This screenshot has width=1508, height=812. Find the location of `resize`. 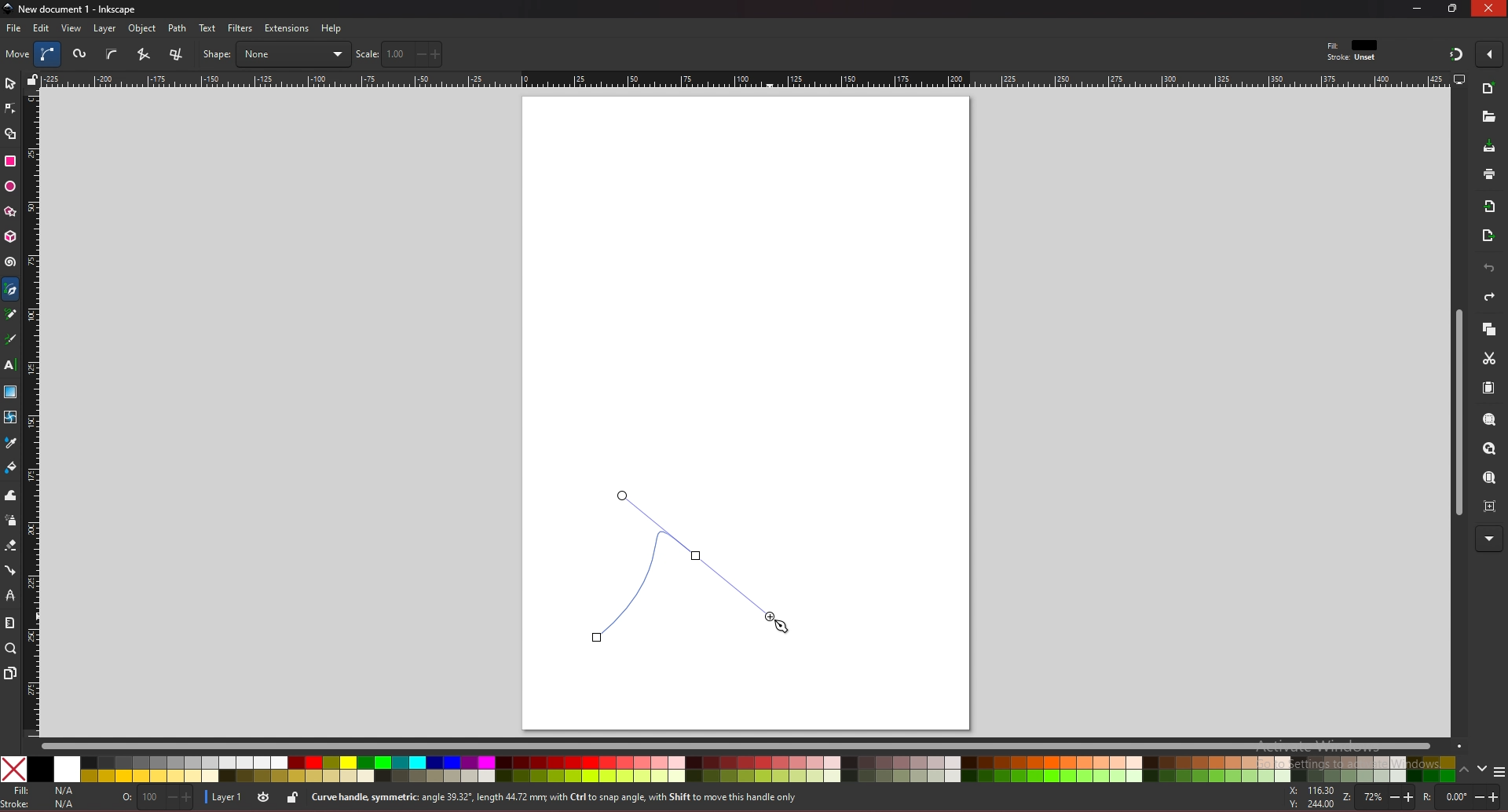

resize is located at coordinates (1455, 8).